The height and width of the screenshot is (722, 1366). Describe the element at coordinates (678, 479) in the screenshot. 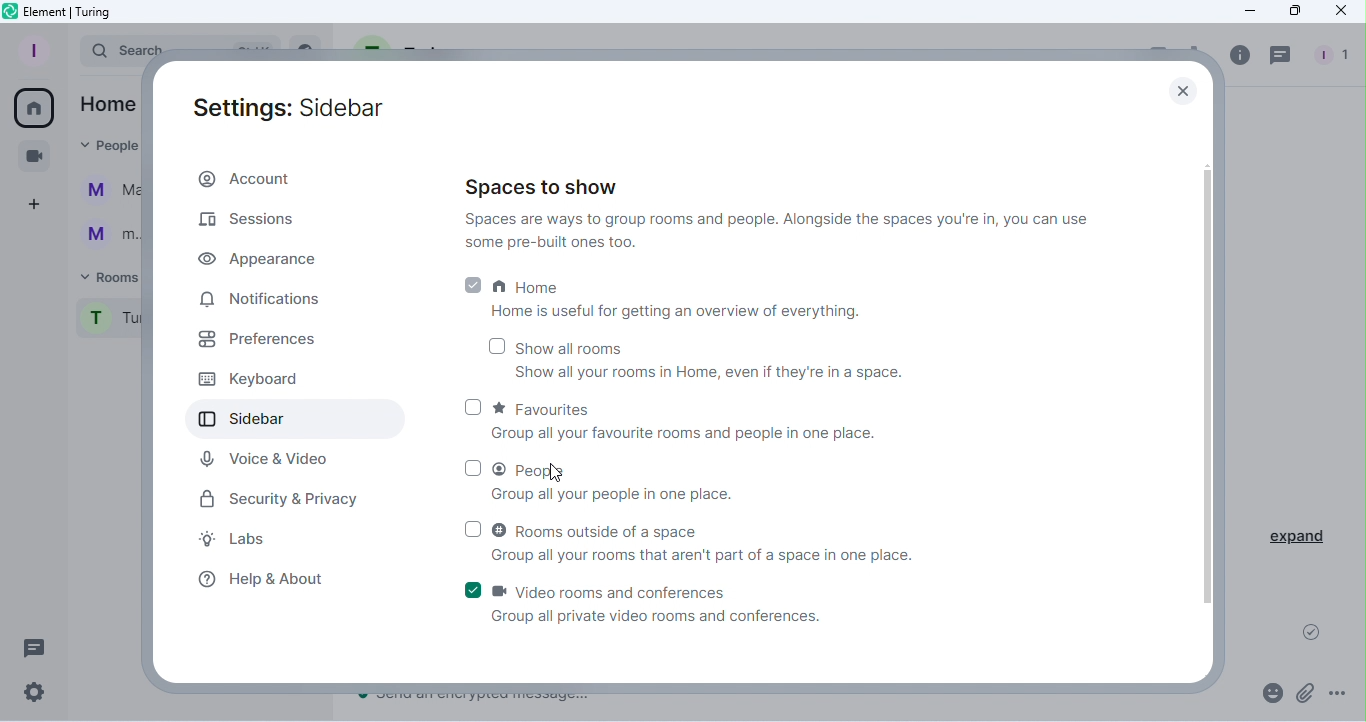

I see `People` at that location.